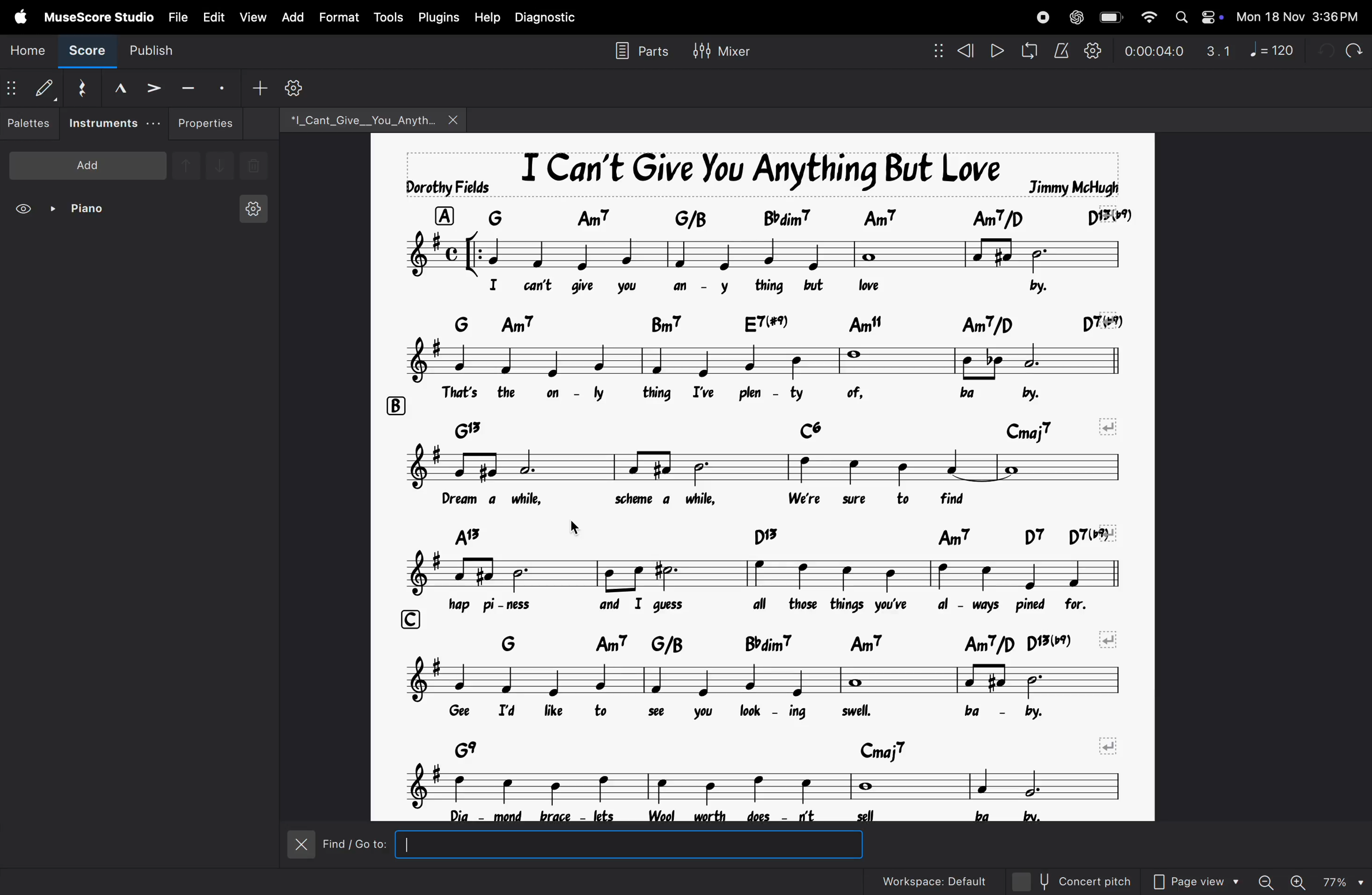  What do you see at coordinates (997, 51) in the screenshot?
I see `play` at bounding box center [997, 51].